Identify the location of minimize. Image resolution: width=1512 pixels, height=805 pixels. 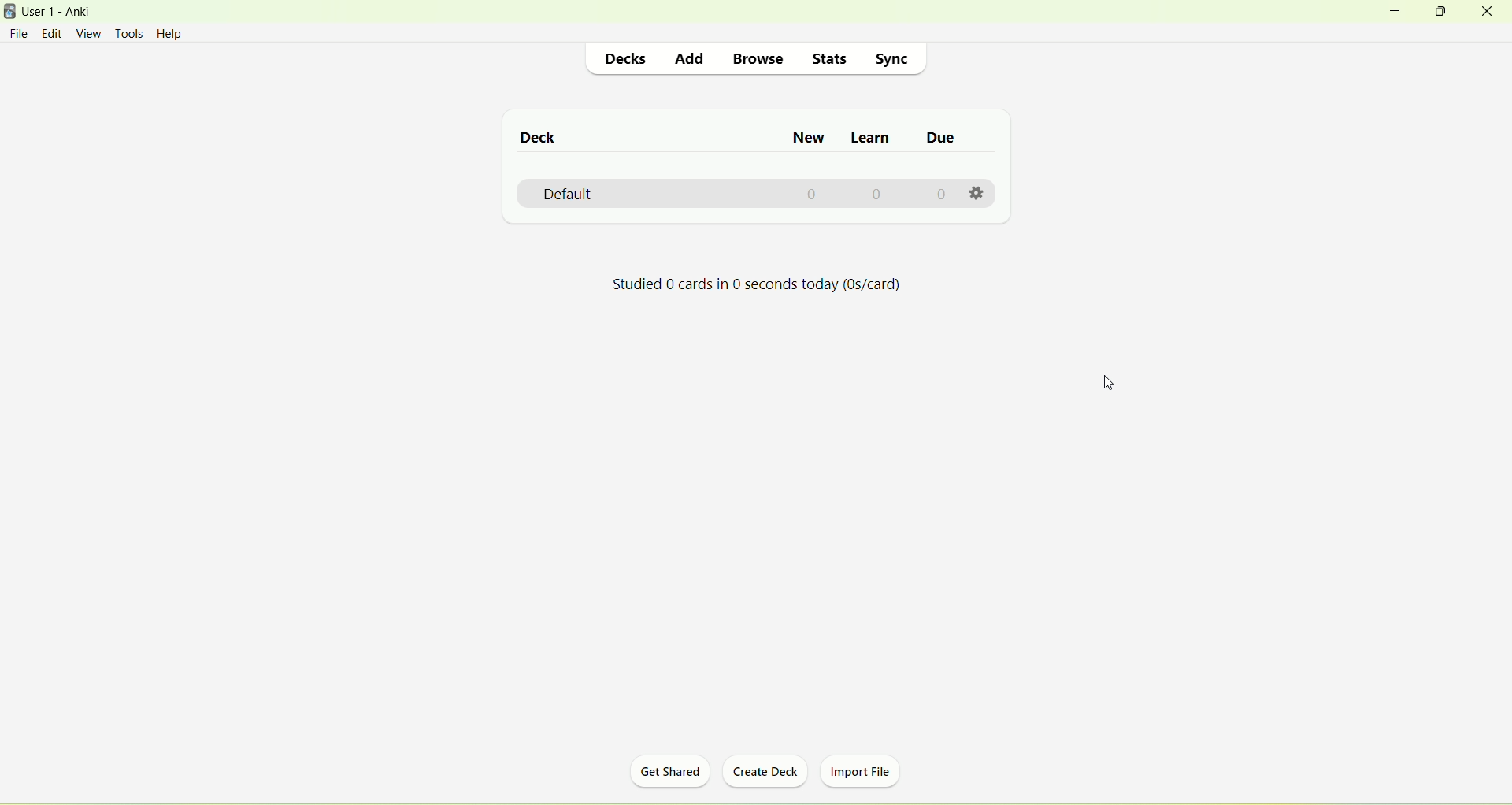
(1393, 12).